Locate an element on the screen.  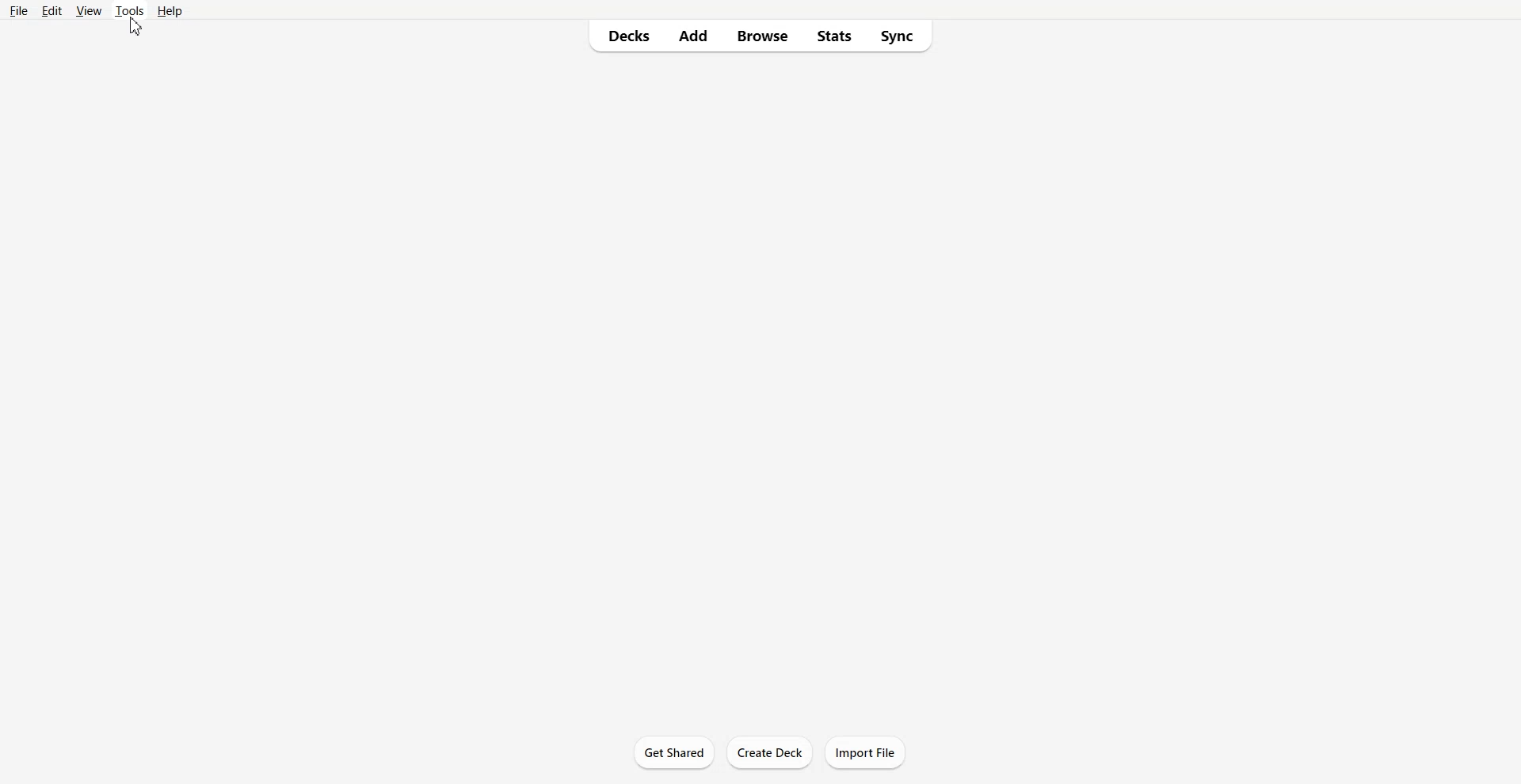
Tools is located at coordinates (129, 11).